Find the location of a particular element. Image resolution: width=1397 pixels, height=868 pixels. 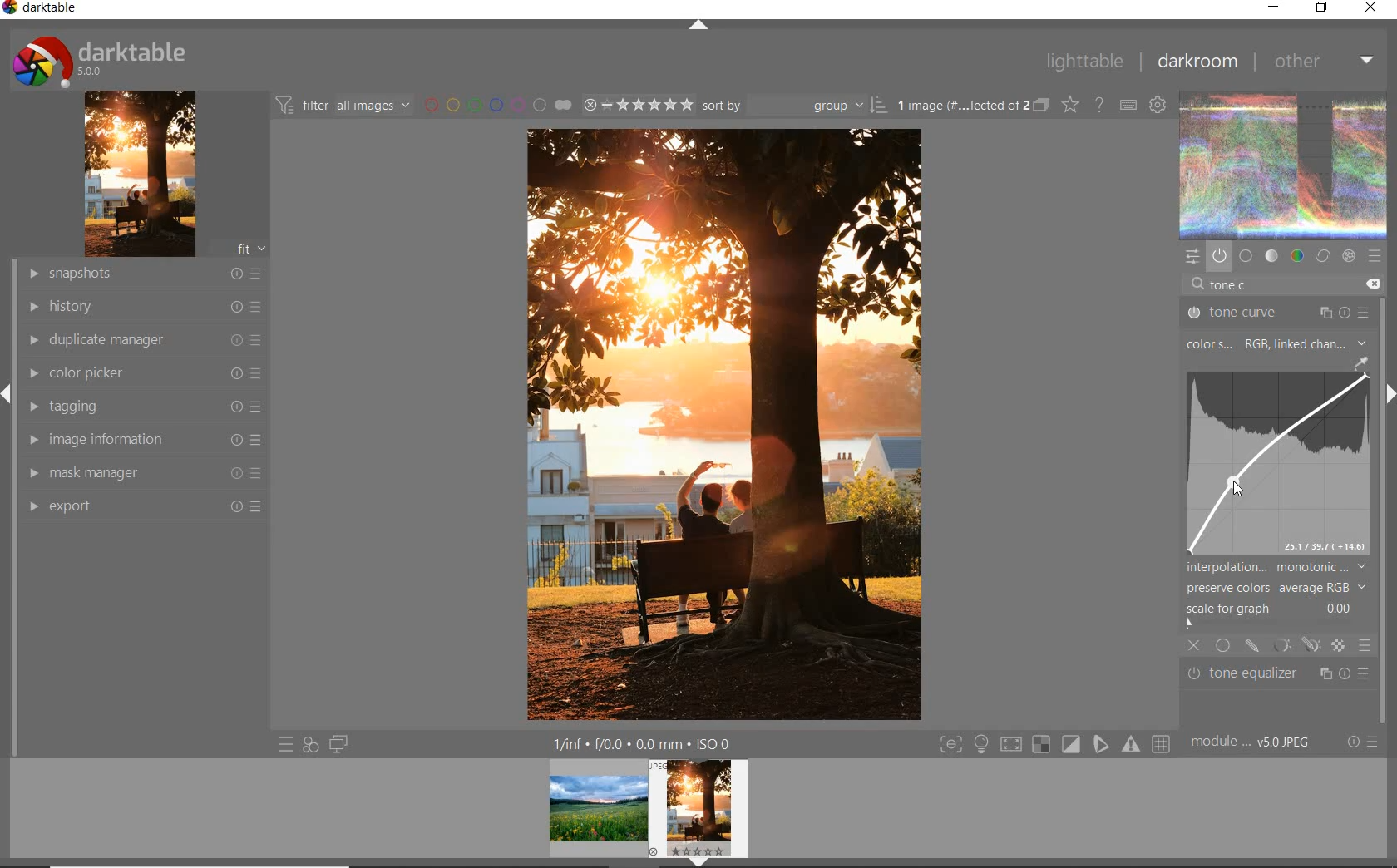

tone c is located at coordinates (1235, 284).